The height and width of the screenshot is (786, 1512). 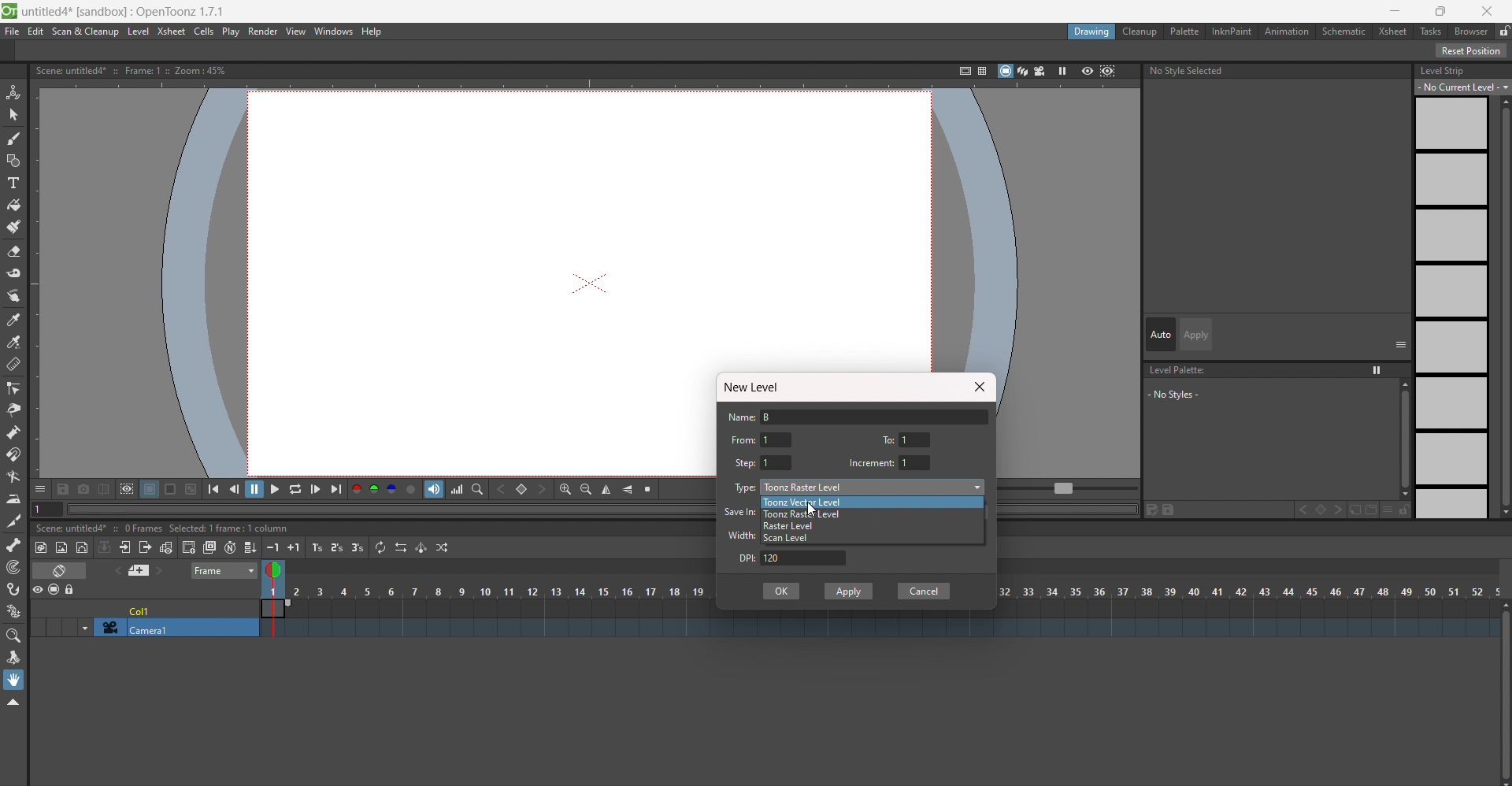 I want to click on cleanup, so click(x=1141, y=32).